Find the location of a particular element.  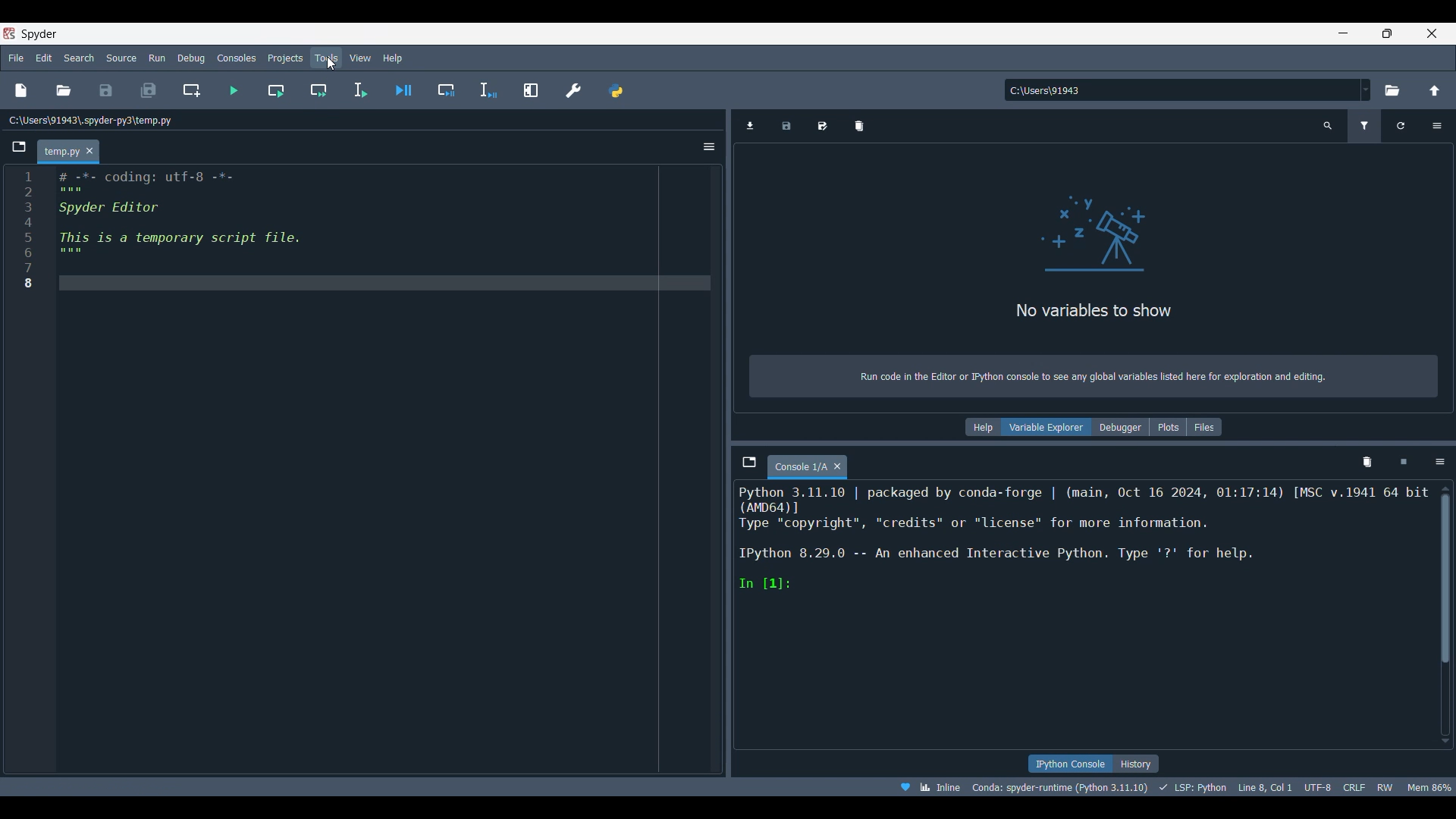

Help menu is located at coordinates (392, 58).